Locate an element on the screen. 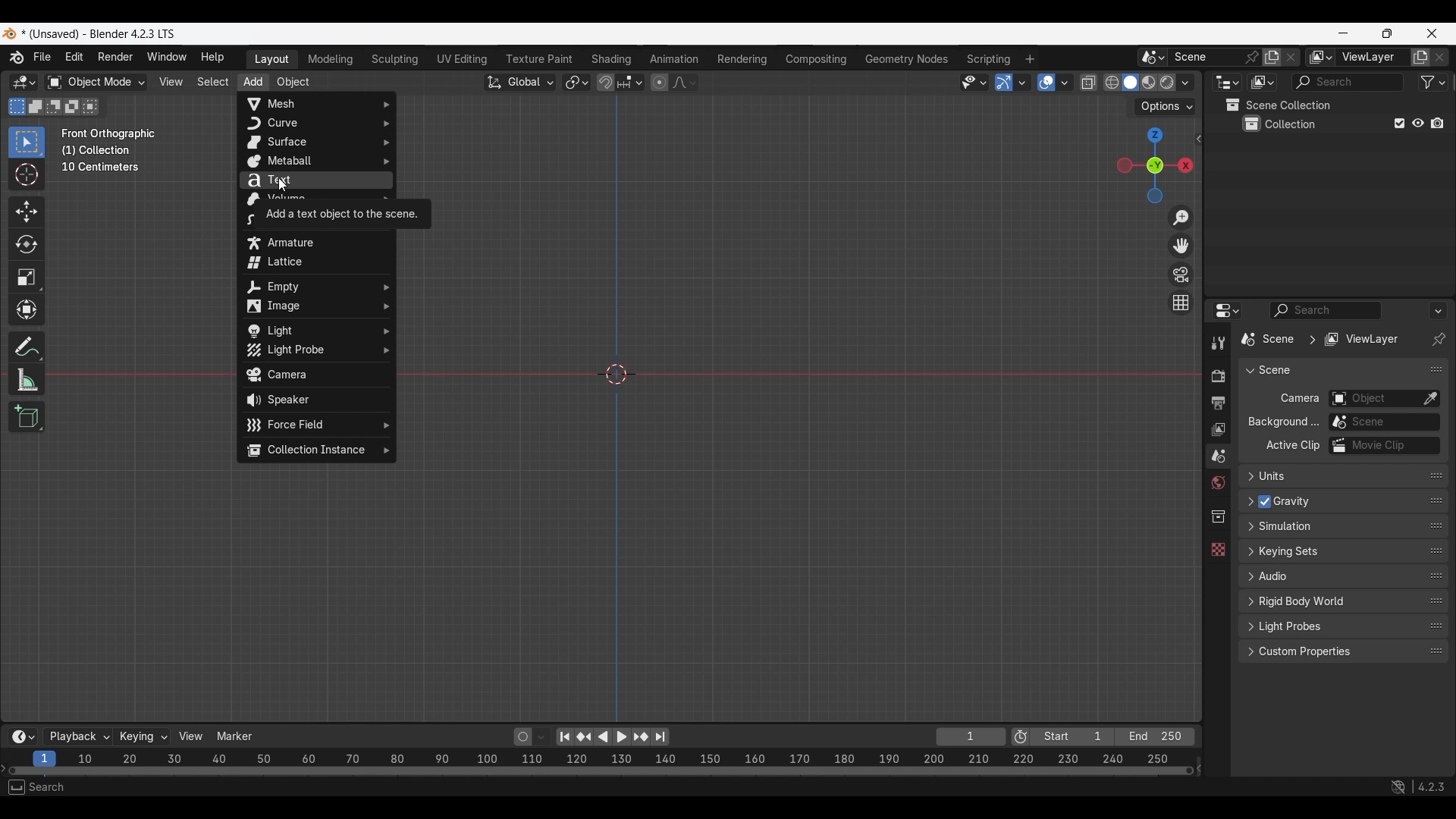  Show interface in a smaller tab is located at coordinates (1387, 33).